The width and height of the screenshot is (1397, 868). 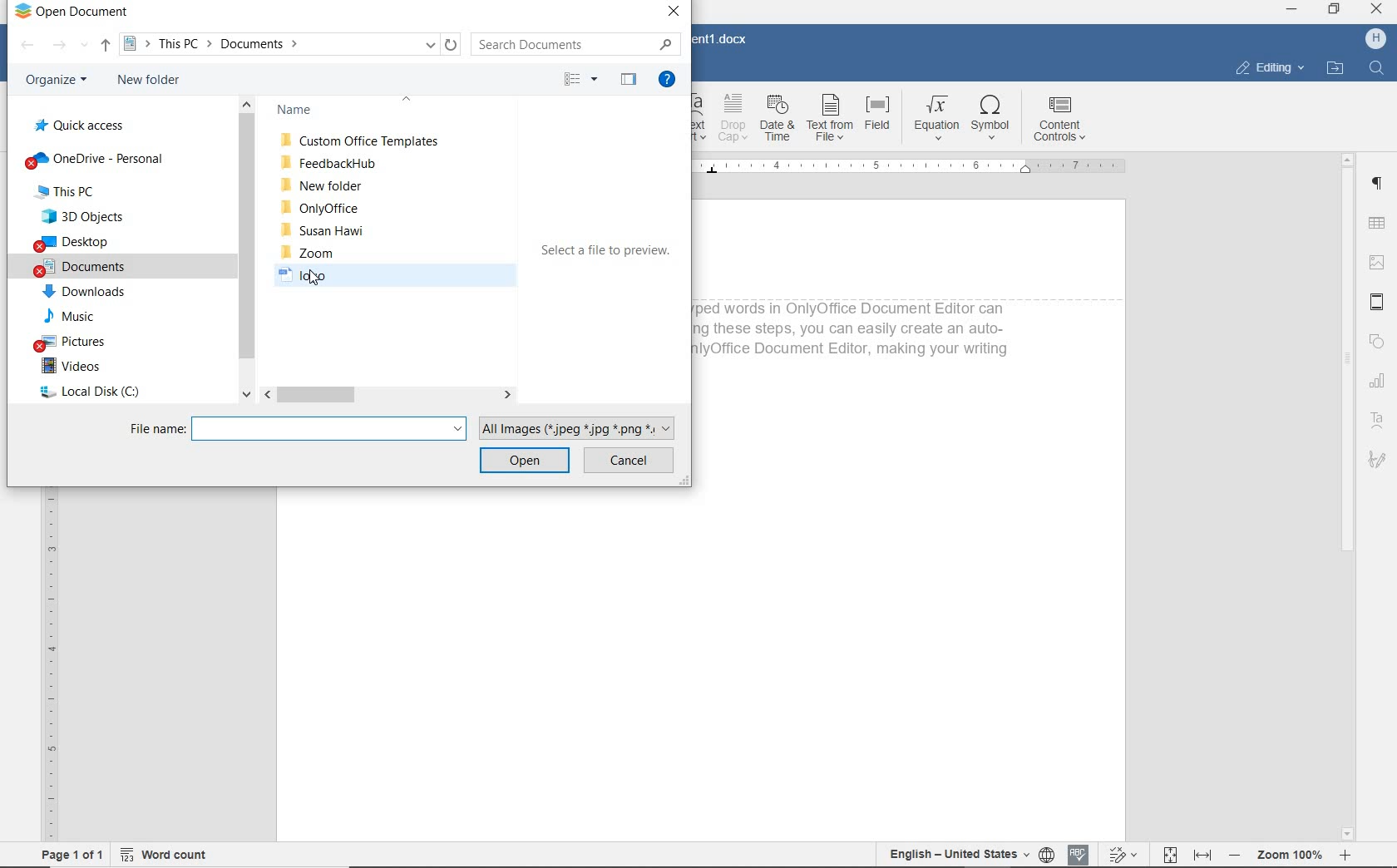 I want to click on Zoom, so click(x=1287, y=856).